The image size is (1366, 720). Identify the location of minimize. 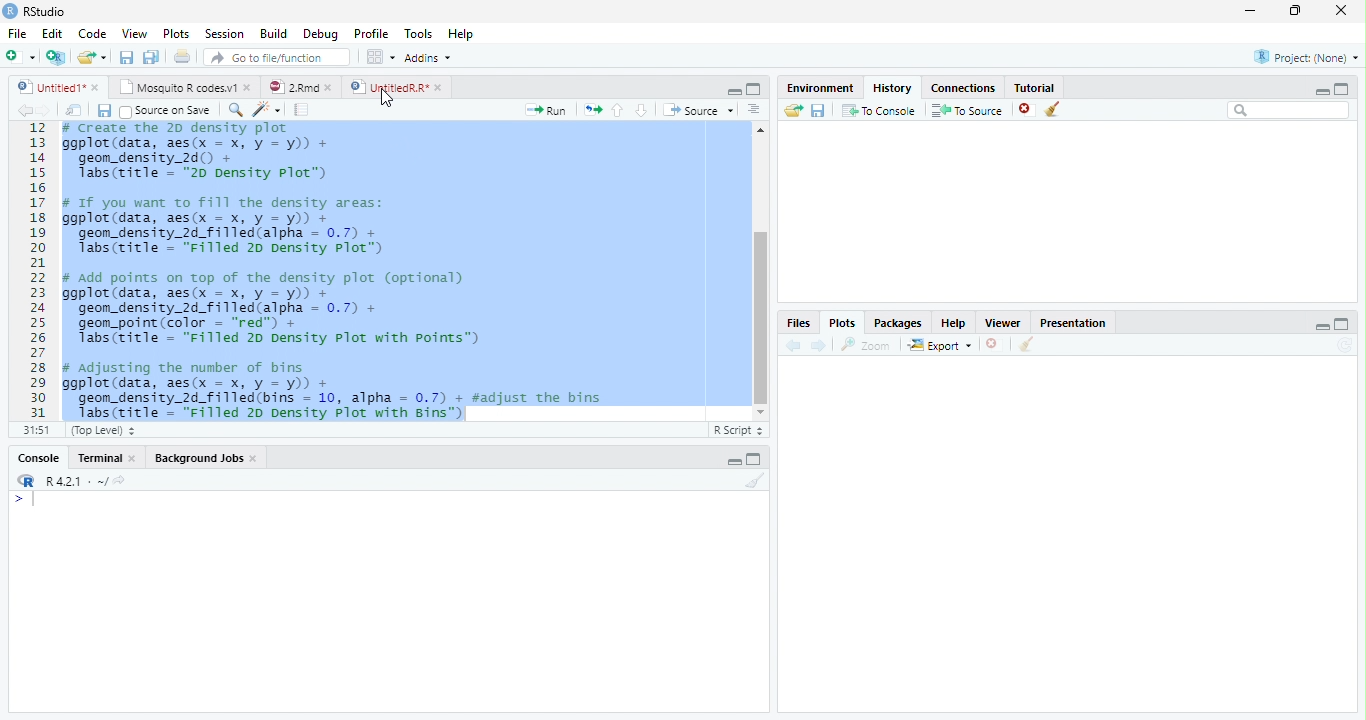
(1323, 326).